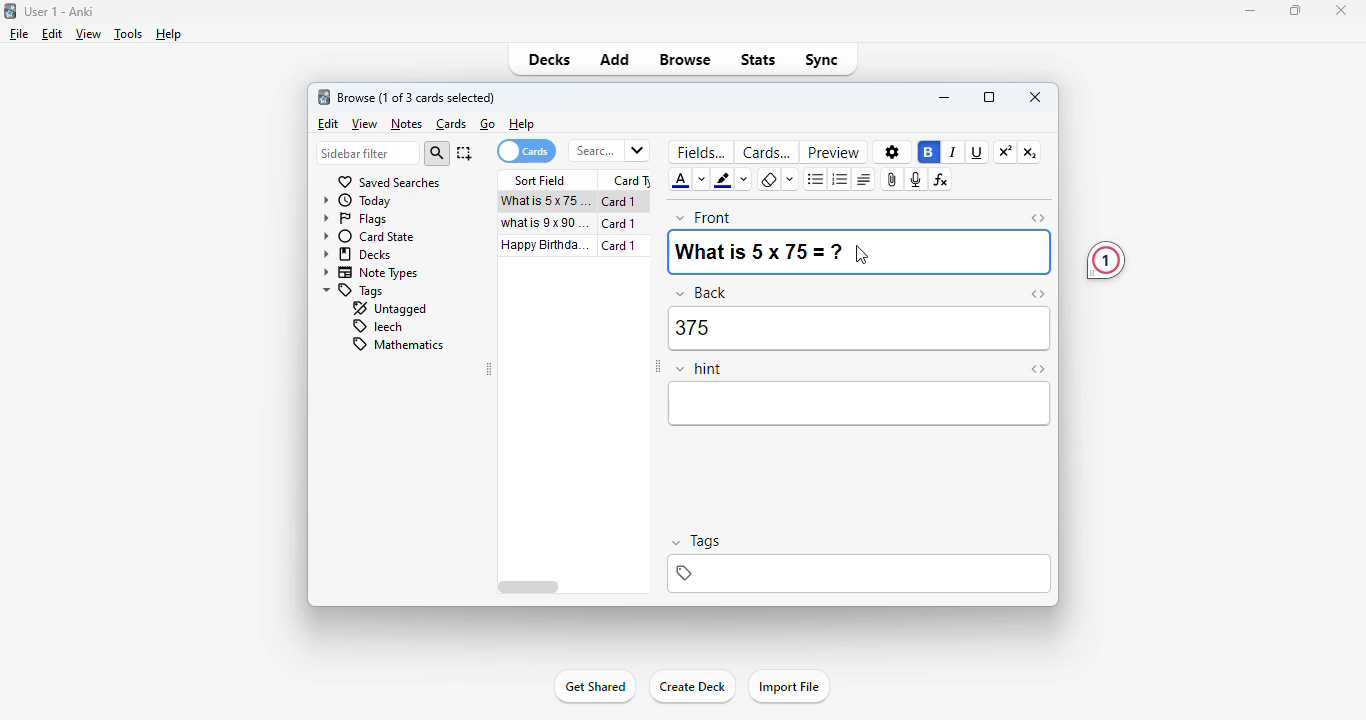  I want to click on logo, so click(324, 97).